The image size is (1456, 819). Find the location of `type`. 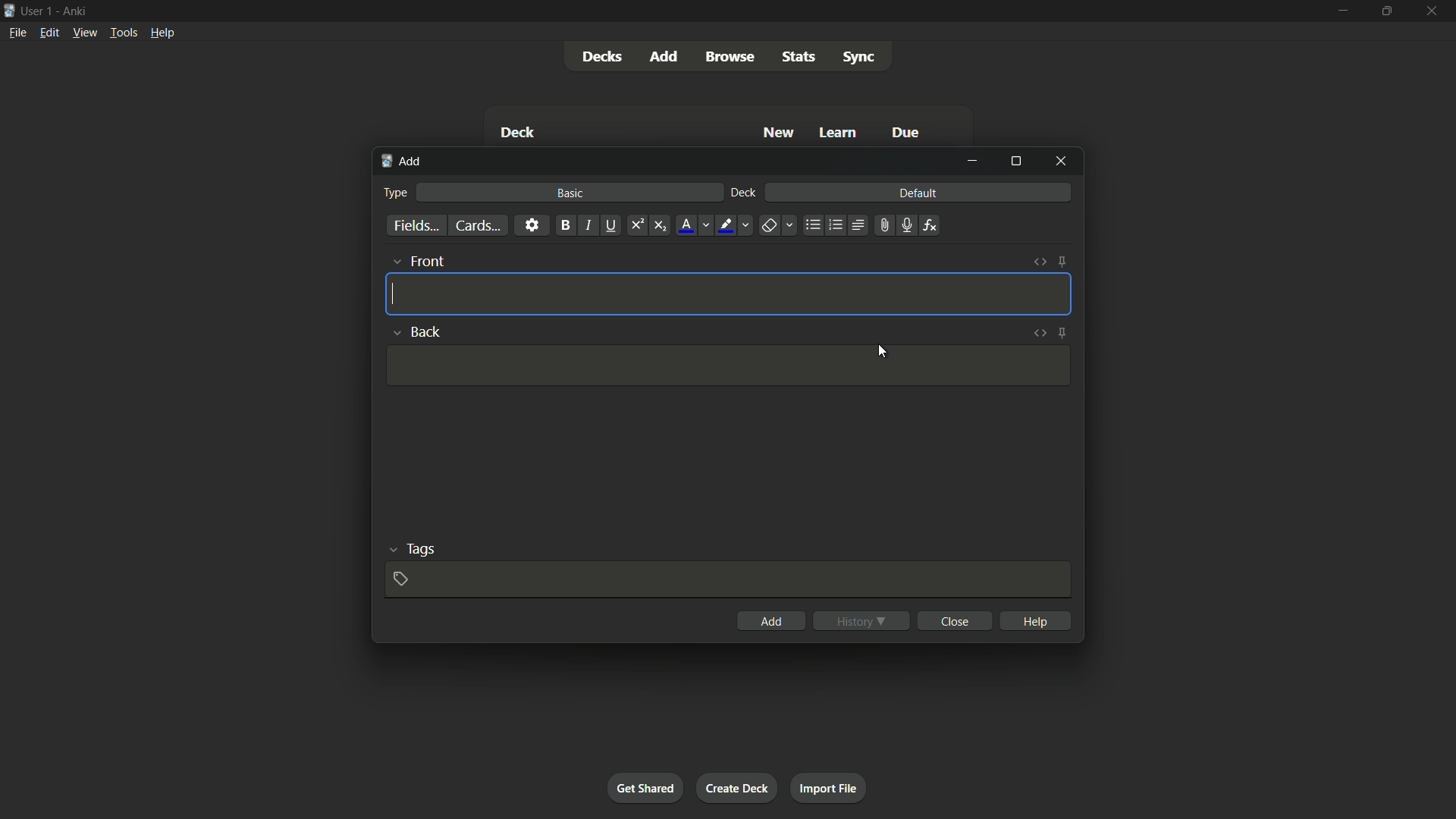

type is located at coordinates (396, 193).